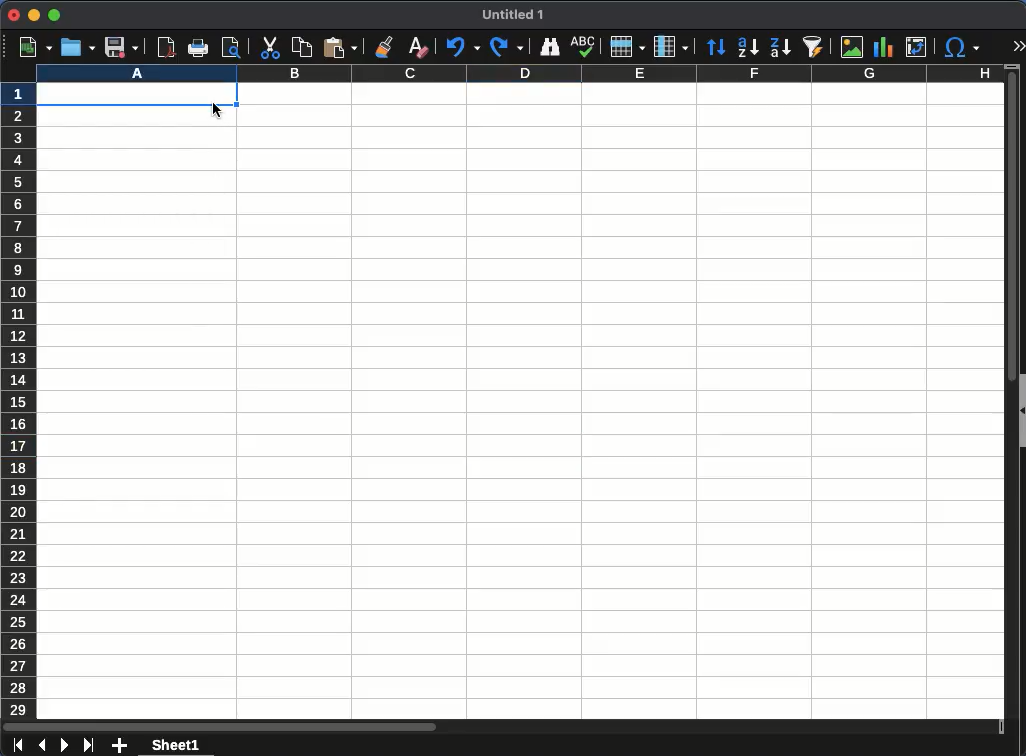 Image resolution: width=1026 pixels, height=756 pixels. What do you see at coordinates (716, 48) in the screenshot?
I see `sort` at bounding box center [716, 48].